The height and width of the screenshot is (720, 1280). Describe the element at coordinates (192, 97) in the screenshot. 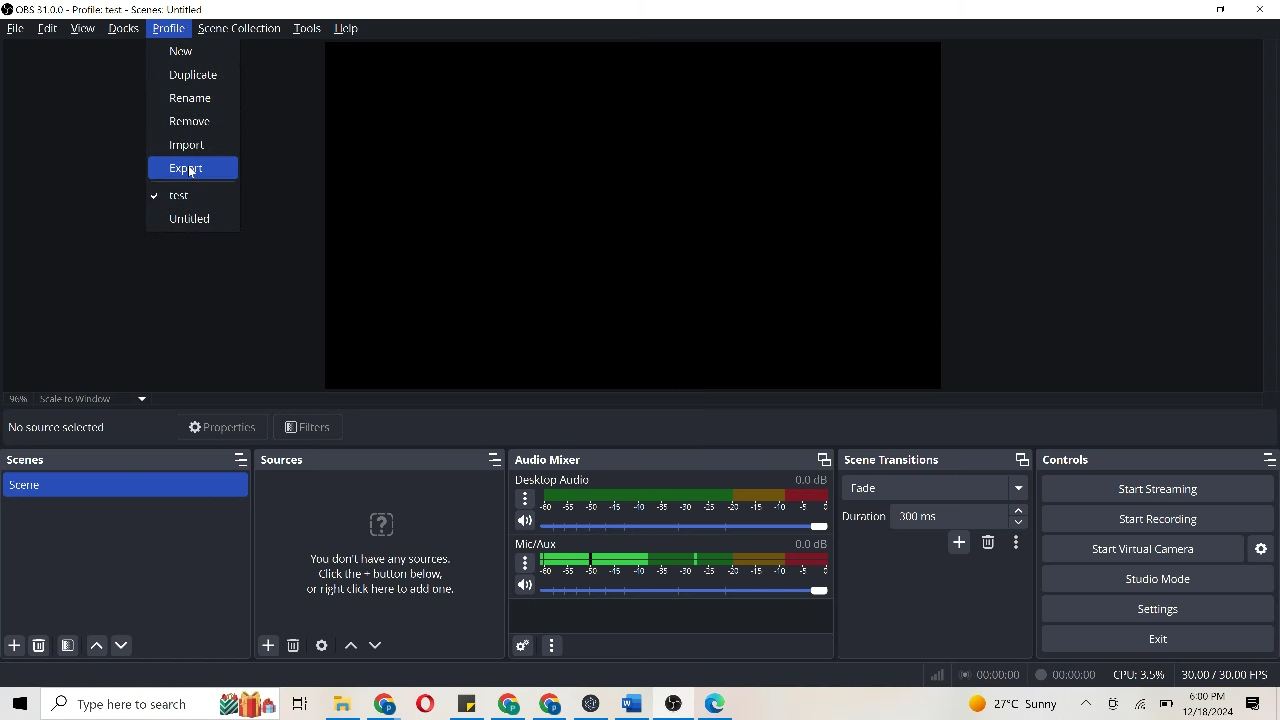

I see `rename` at that location.